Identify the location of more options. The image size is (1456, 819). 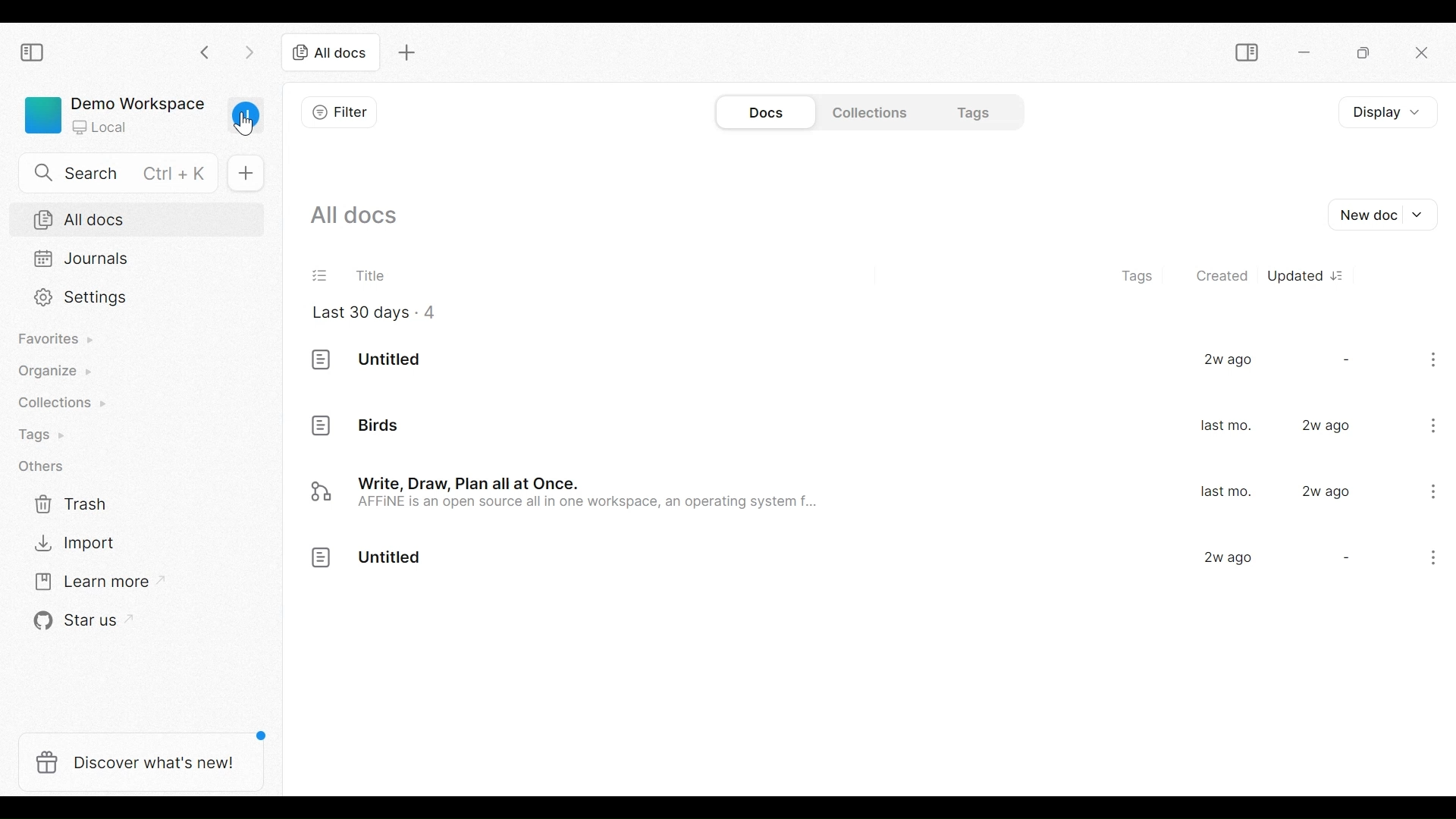
(1435, 424).